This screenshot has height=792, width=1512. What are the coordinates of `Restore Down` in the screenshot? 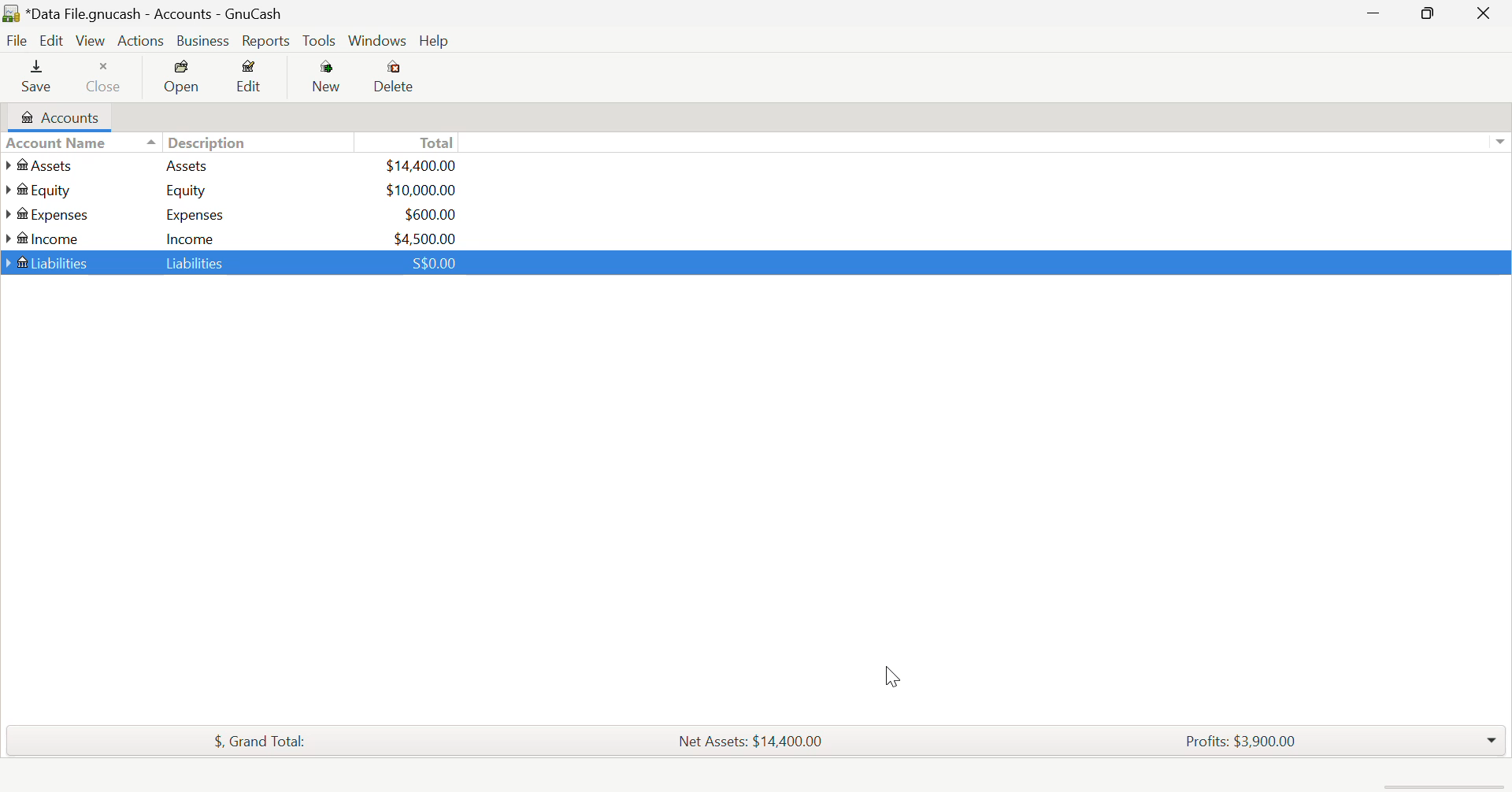 It's located at (1374, 15).